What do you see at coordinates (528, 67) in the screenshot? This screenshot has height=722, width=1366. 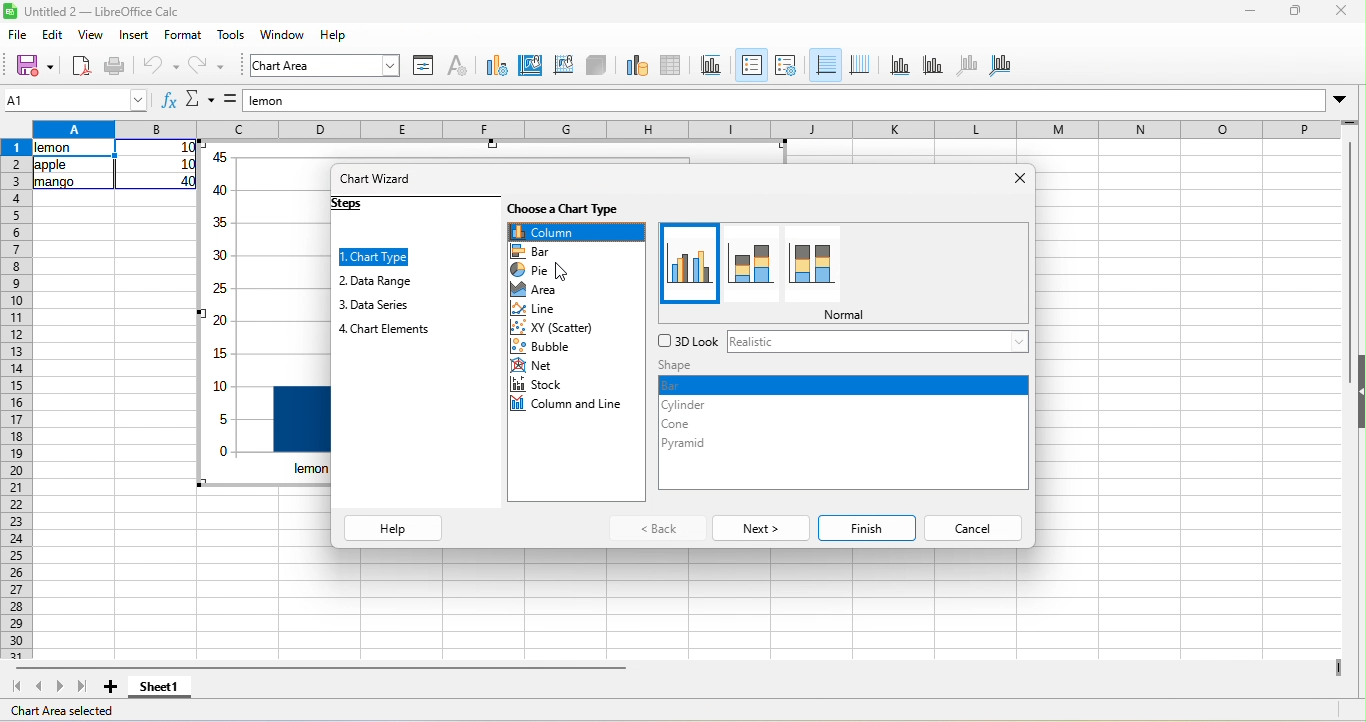 I see `chart area` at bounding box center [528, 67].